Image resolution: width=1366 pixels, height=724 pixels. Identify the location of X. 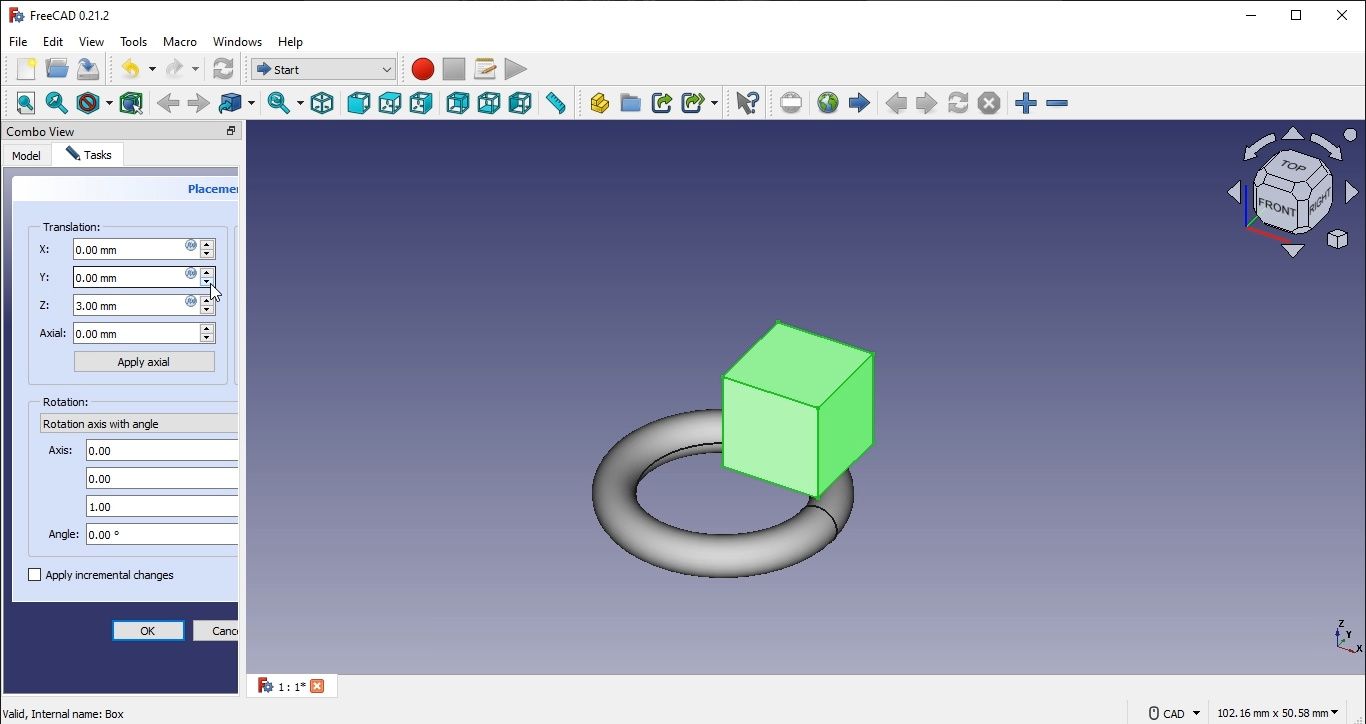
(131, 250).